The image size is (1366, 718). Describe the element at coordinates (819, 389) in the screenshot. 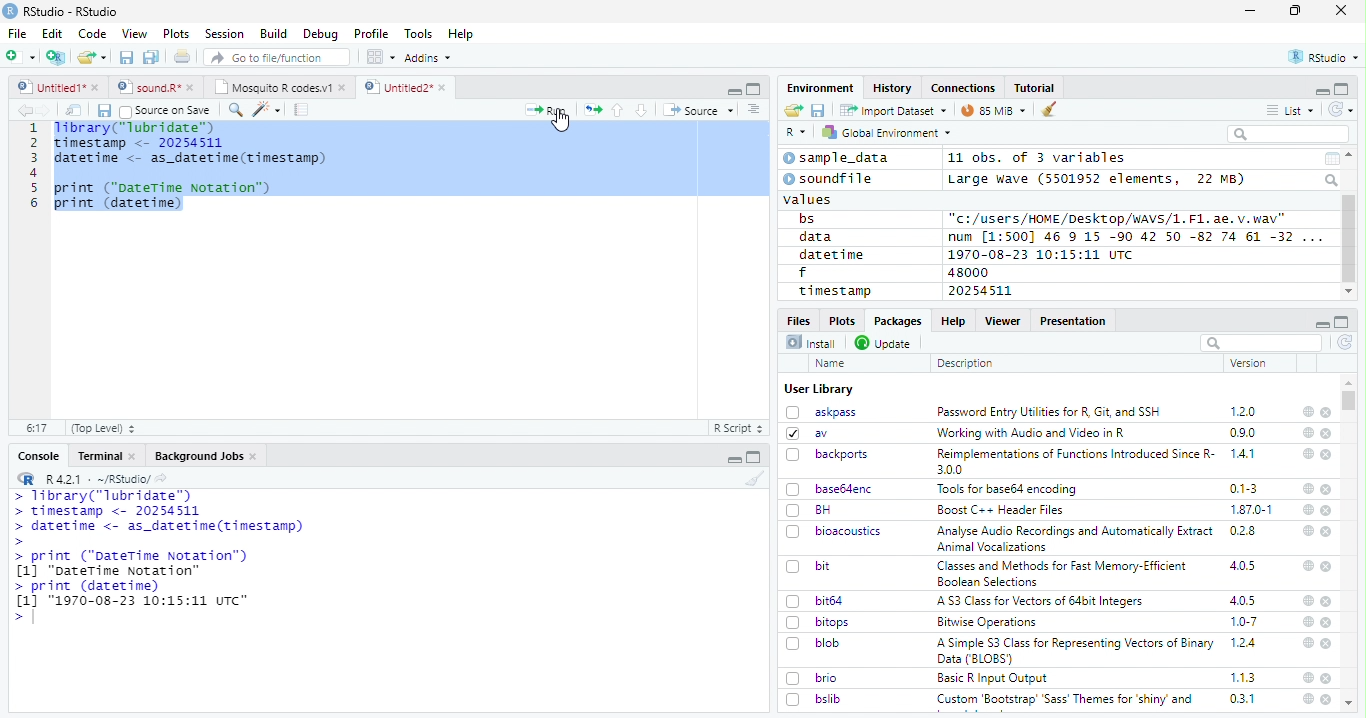

I see `User Library` at that location.